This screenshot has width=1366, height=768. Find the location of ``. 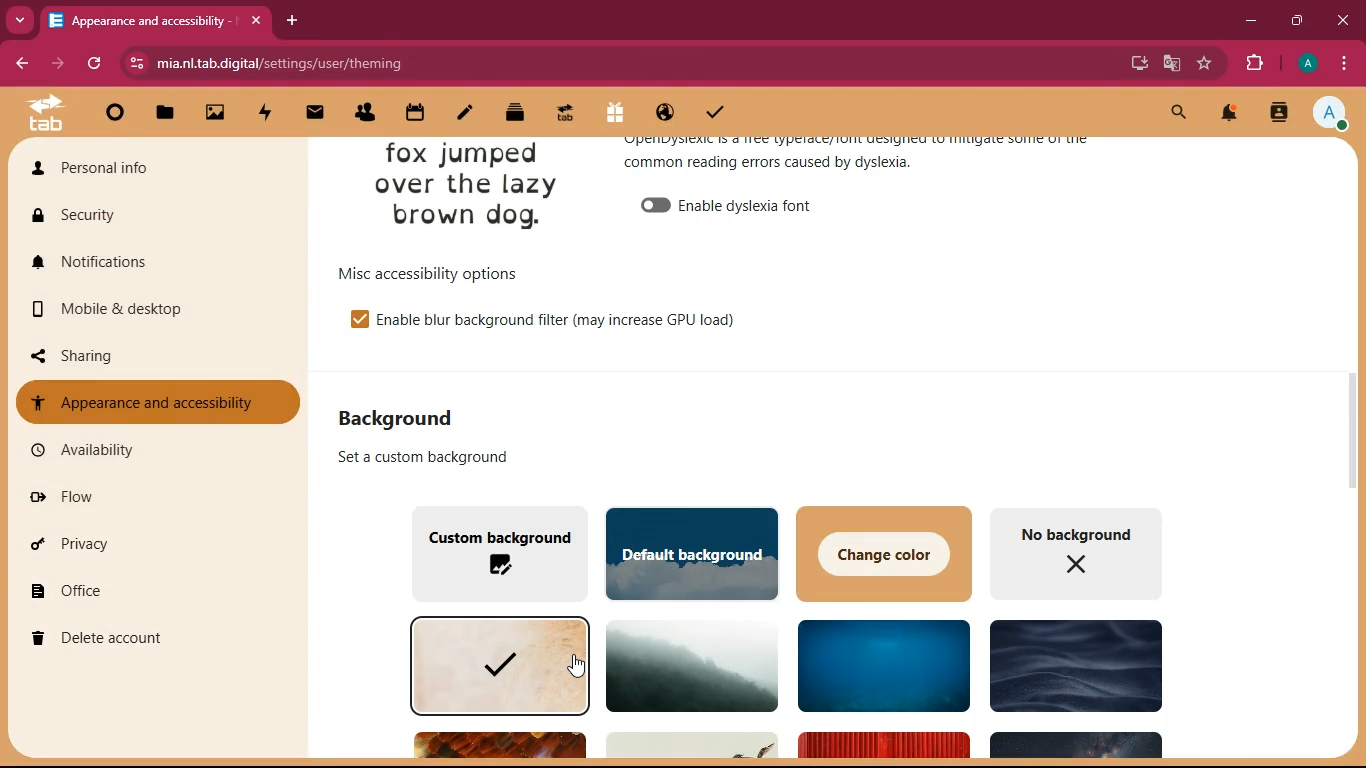

 is located at coordinates (1074, 747).